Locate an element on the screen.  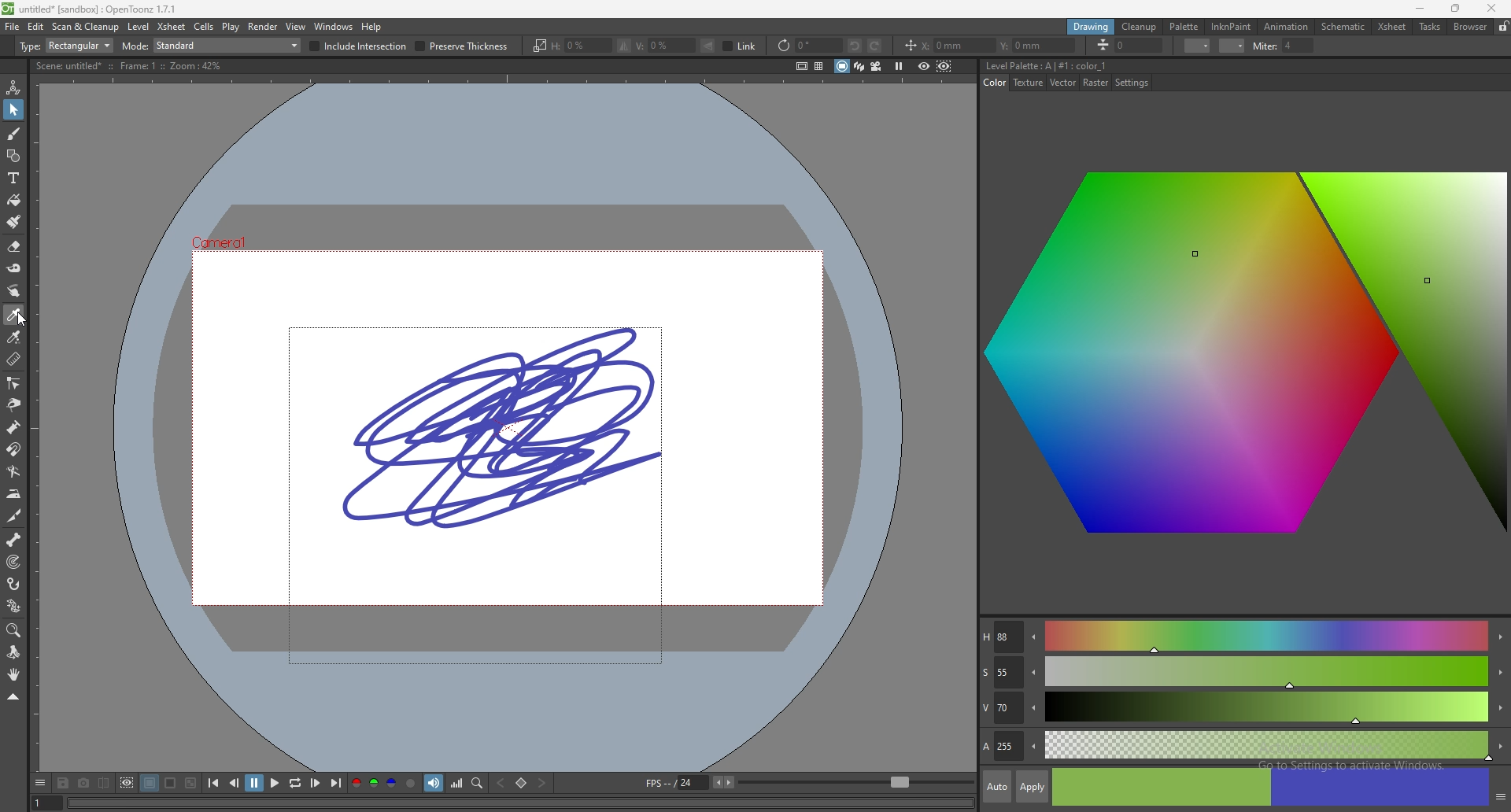
tasks is located at coordinates (1430, 27).